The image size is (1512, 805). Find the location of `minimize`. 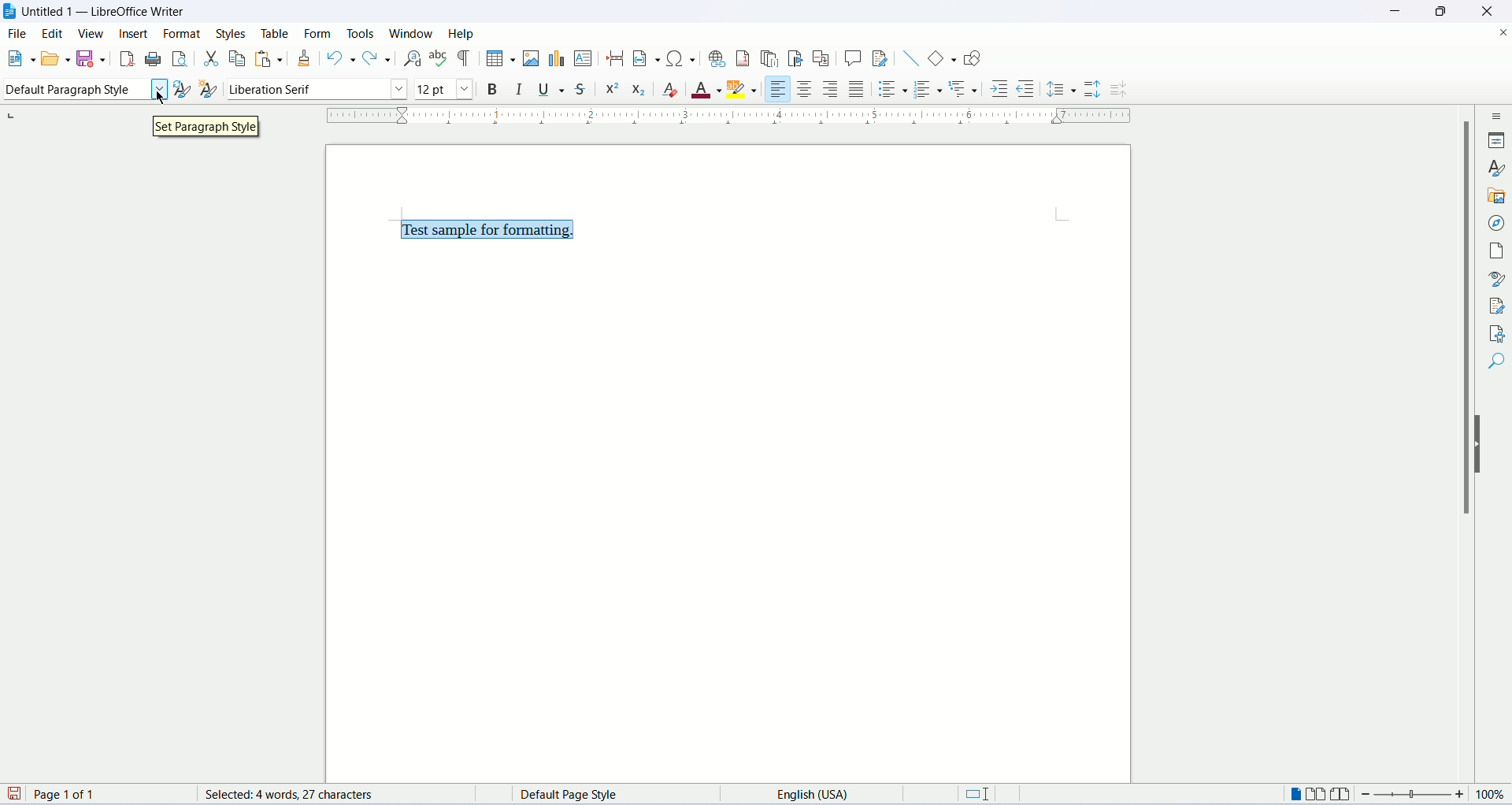

minimize is located at coordinates (1395, 9).